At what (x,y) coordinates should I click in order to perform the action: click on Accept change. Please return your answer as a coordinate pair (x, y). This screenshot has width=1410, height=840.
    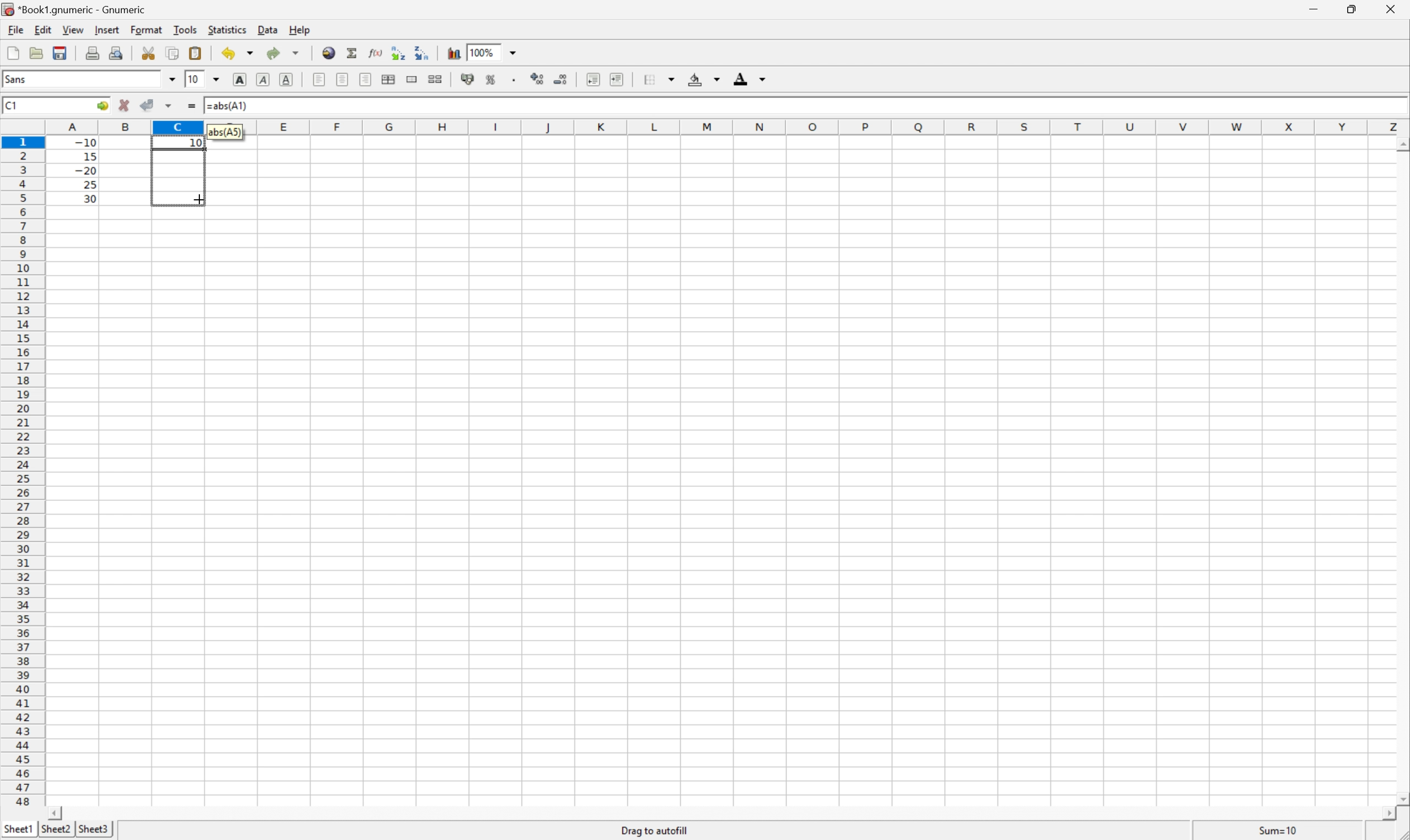
    Looking at the image, I should click on (148, 105).